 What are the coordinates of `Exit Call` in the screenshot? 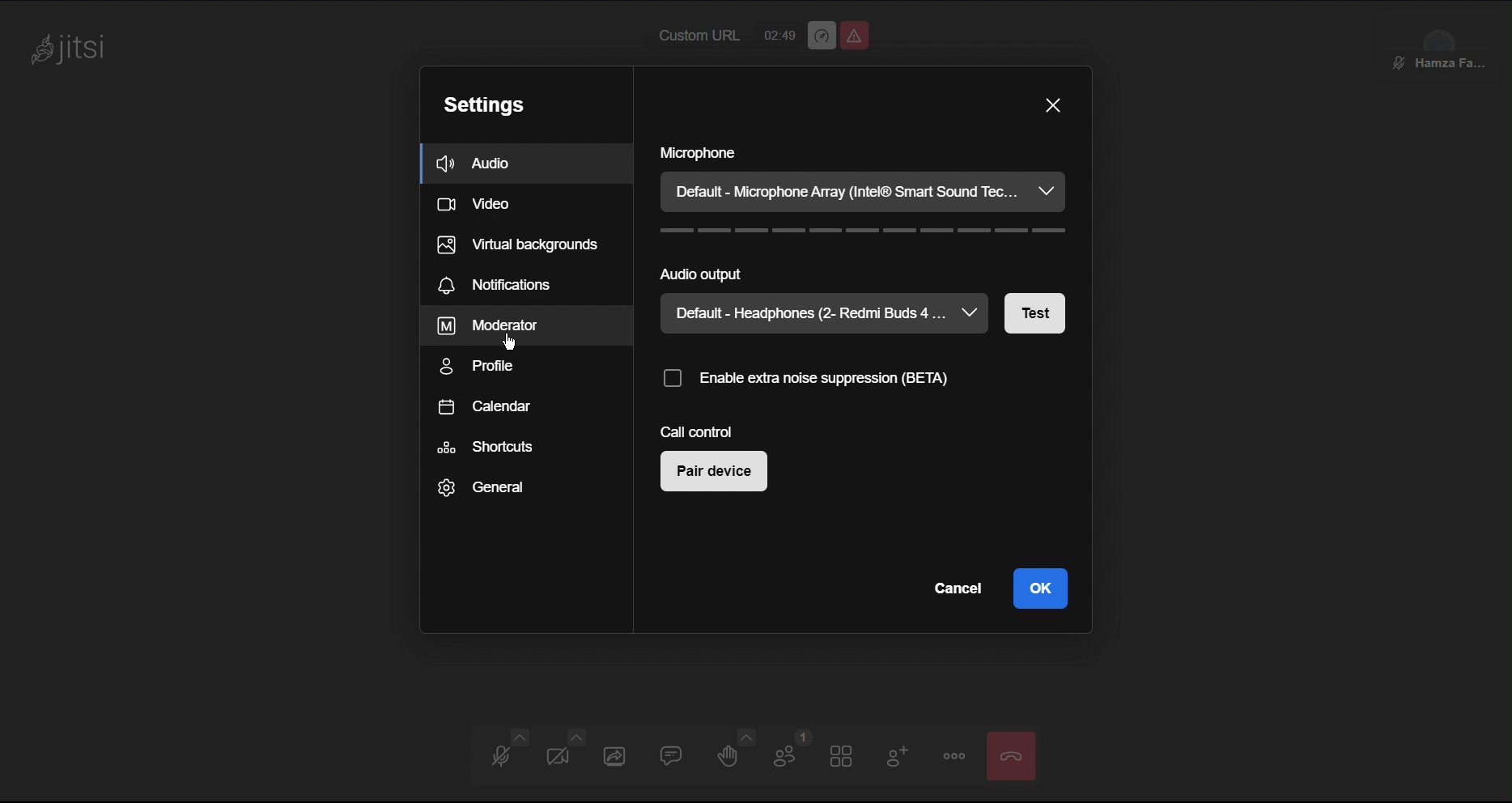 It's located at (1015, 754).